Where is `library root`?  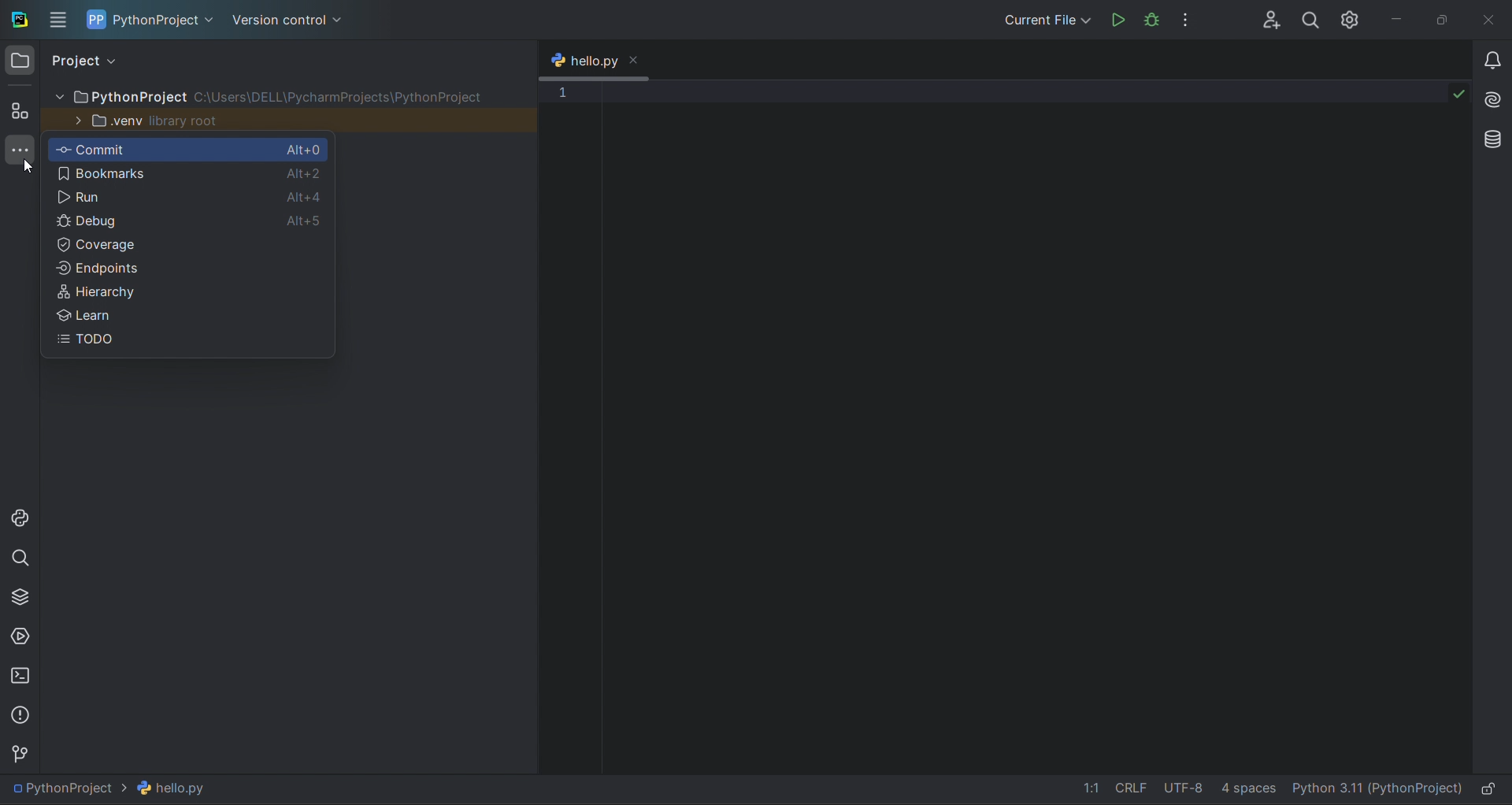
library root is located at coordinates (188, 121).